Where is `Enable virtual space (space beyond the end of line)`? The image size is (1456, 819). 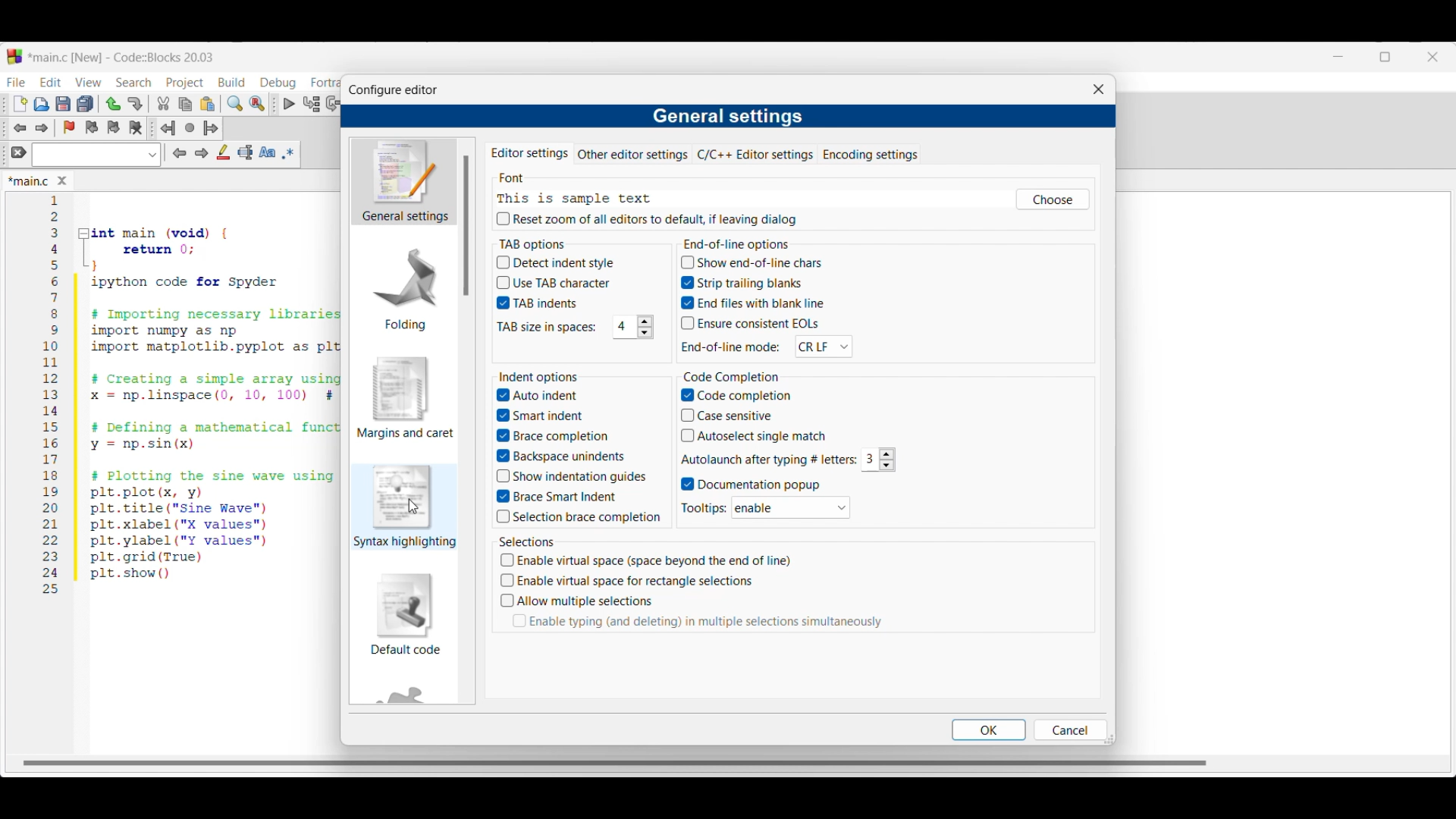 Enable virtual space (space beyond the end of line) is located at coordinates (650, 563).